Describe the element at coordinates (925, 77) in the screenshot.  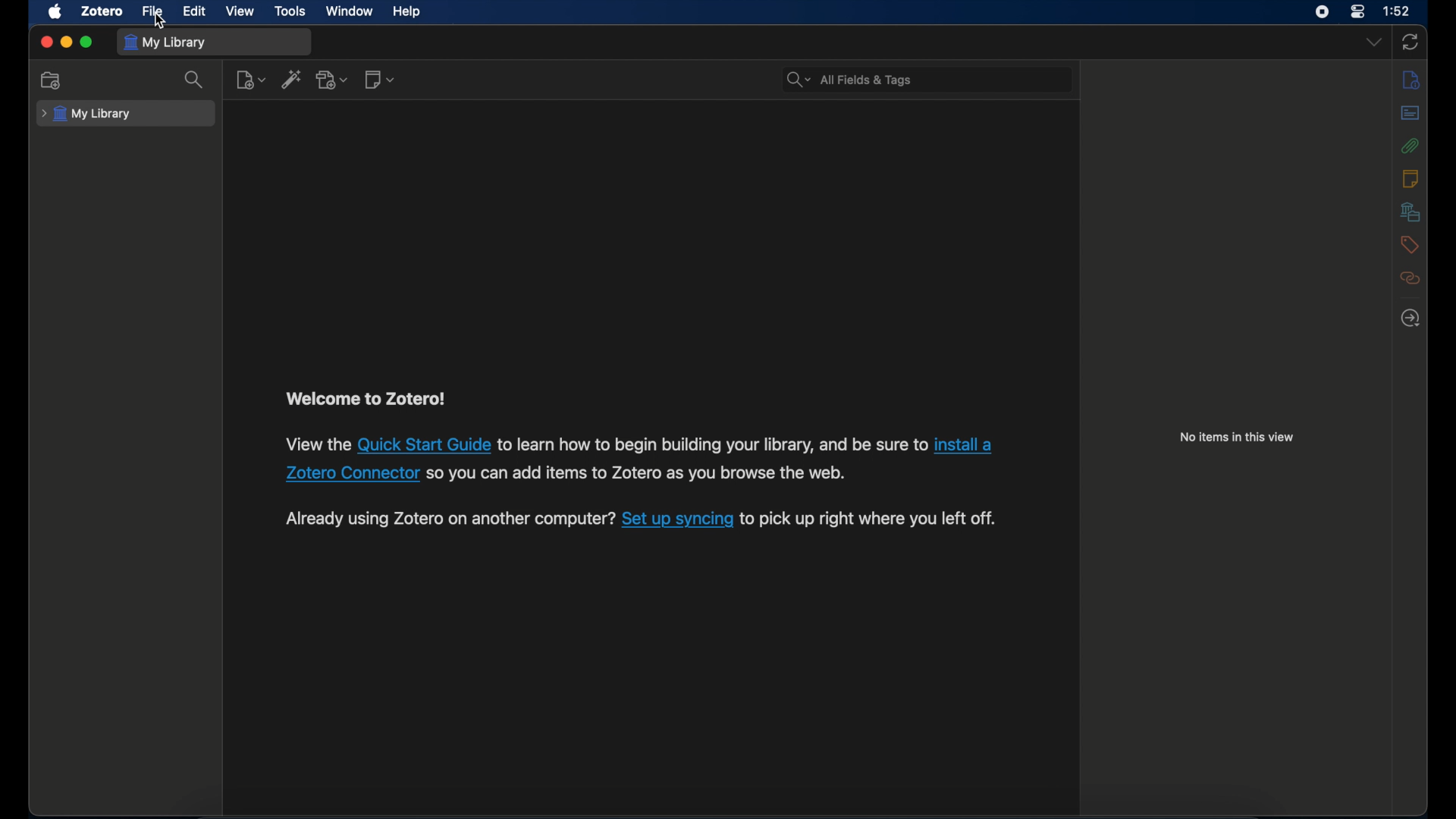
I see `All Fields & Tags` at that location.